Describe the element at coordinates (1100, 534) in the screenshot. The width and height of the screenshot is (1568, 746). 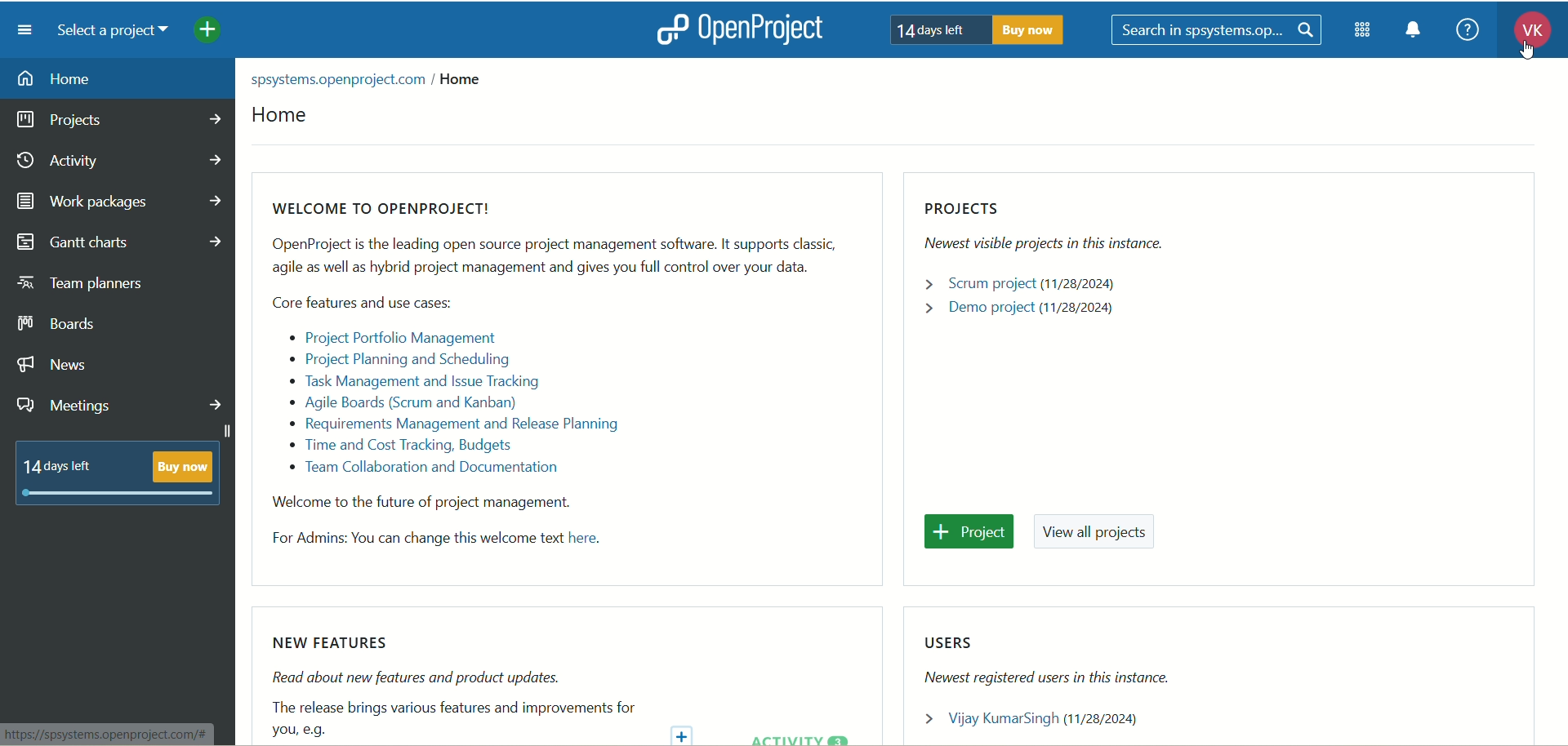
I see `view all projects` at that location.